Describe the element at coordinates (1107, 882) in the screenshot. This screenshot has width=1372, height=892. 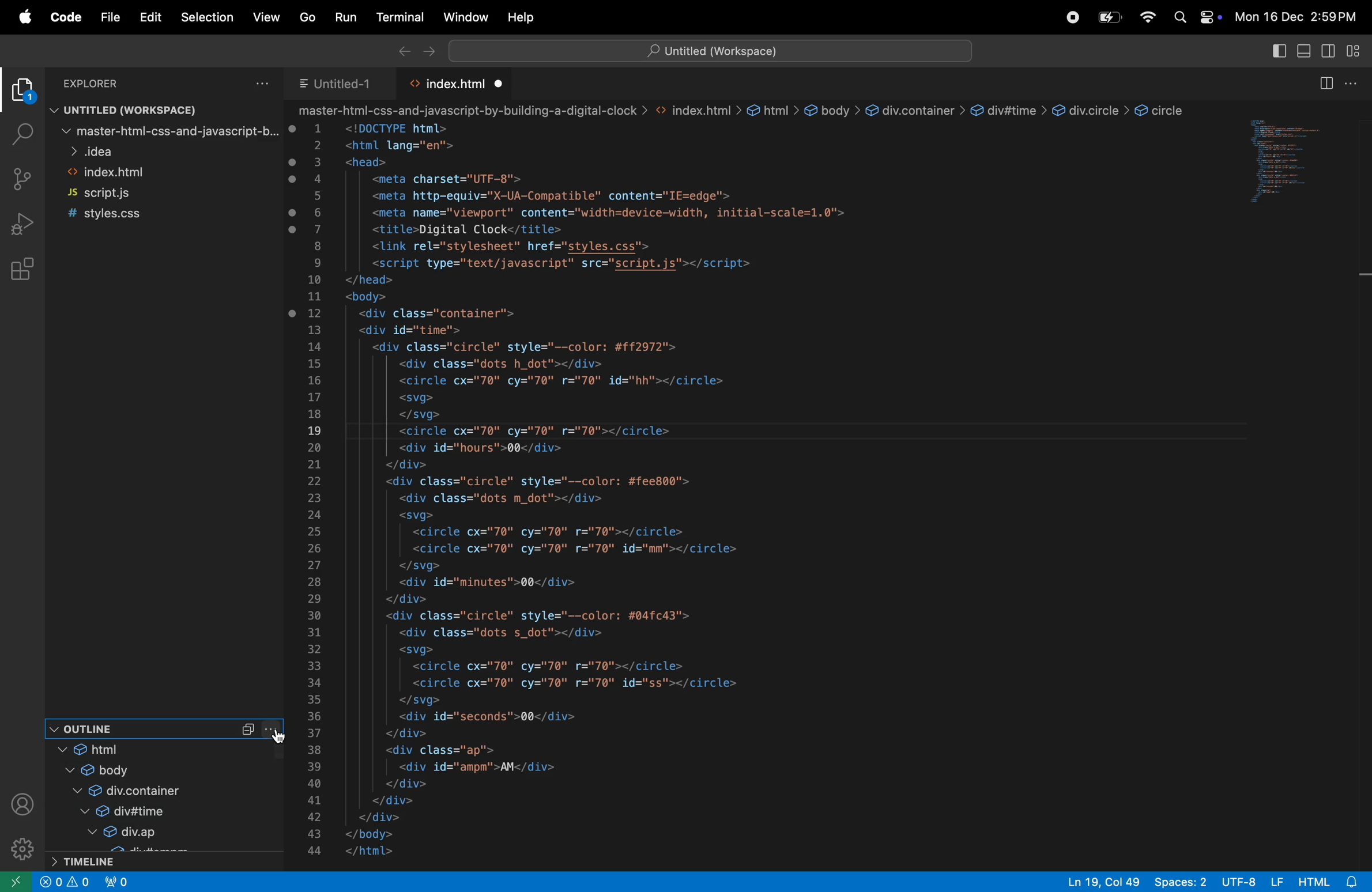
I see `line 19 col 49` at that location.